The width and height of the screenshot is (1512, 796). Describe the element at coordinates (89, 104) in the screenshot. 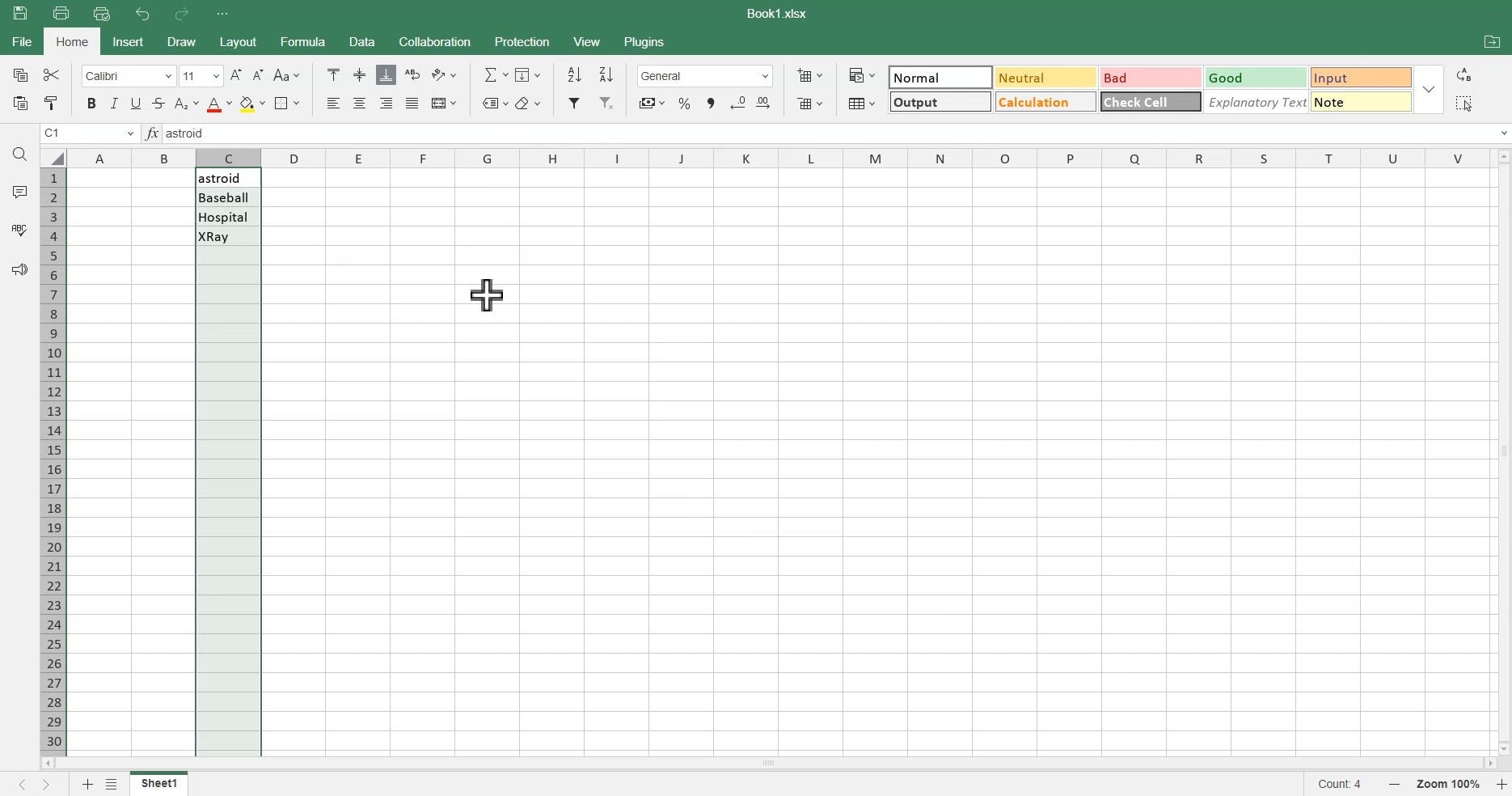

I see `Bold` at that location.